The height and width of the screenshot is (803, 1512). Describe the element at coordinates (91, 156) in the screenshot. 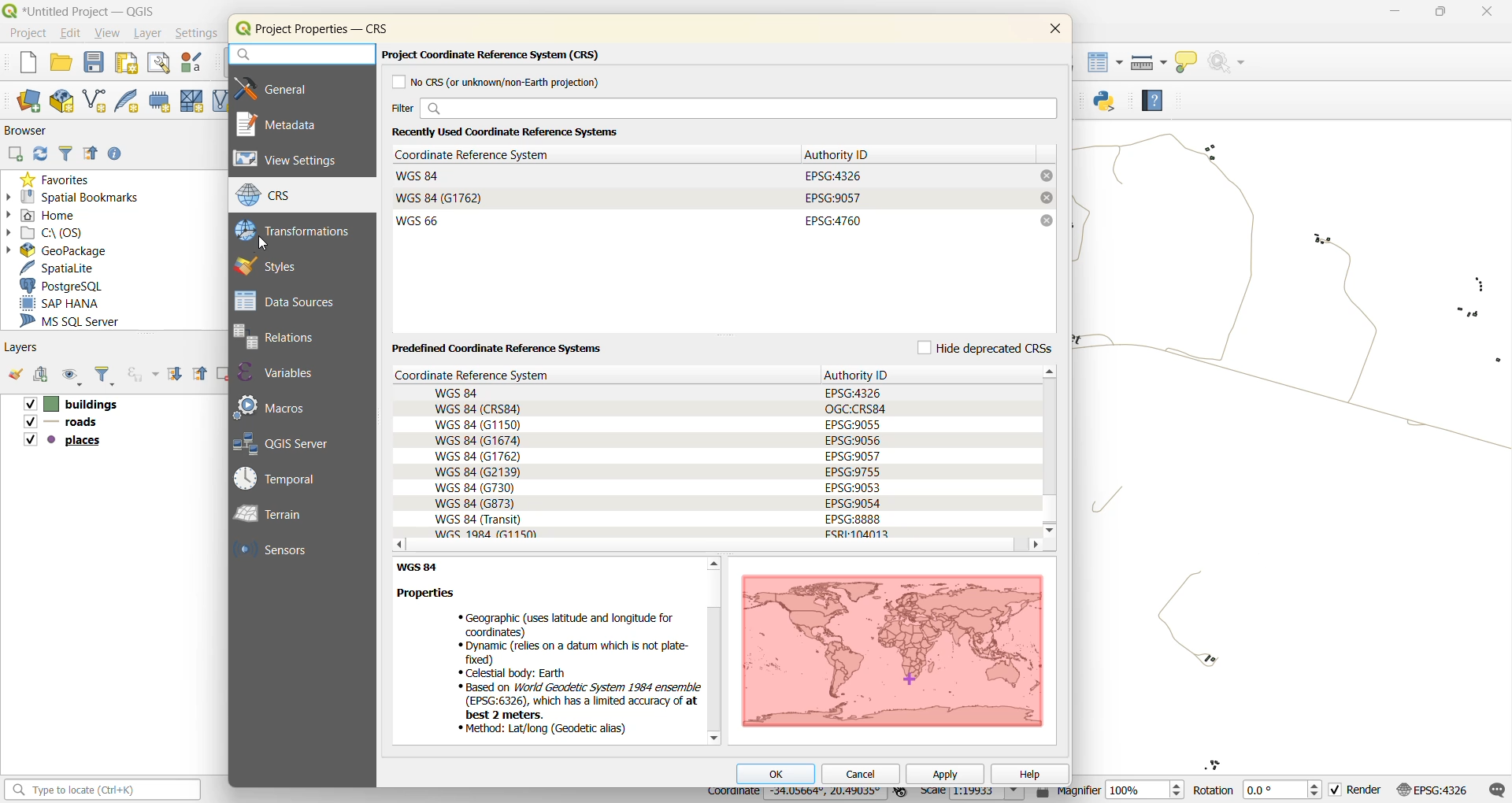

I see `collapse all` at that location.